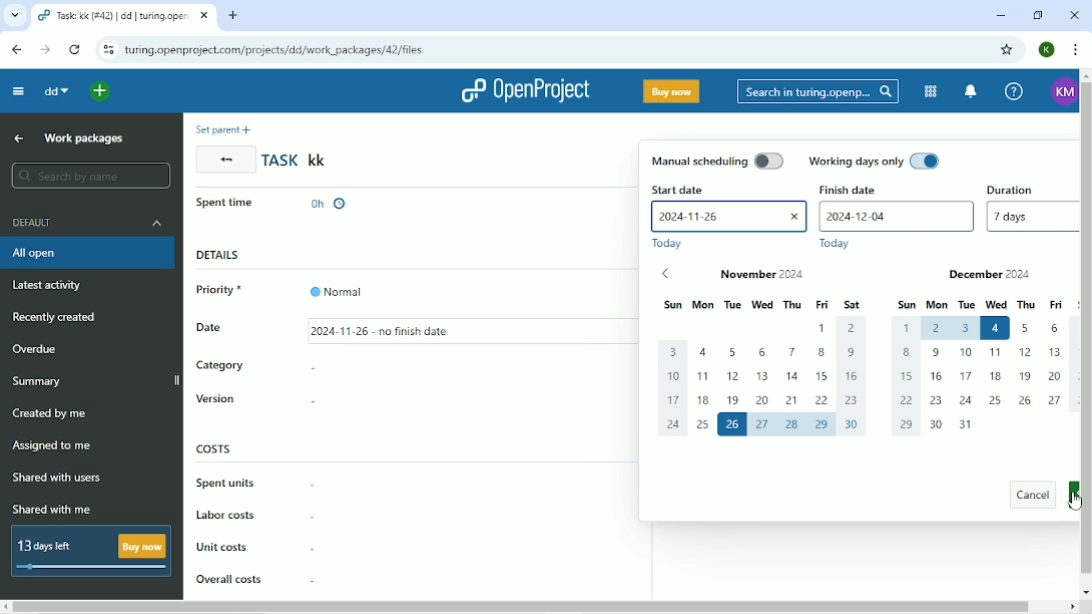 Image resolution: width=1092 pixels, height=614 pixels. What do you see at coordinates (1048, 49) in the screenshot?
I see `K` at bounding box center [1048, 49].